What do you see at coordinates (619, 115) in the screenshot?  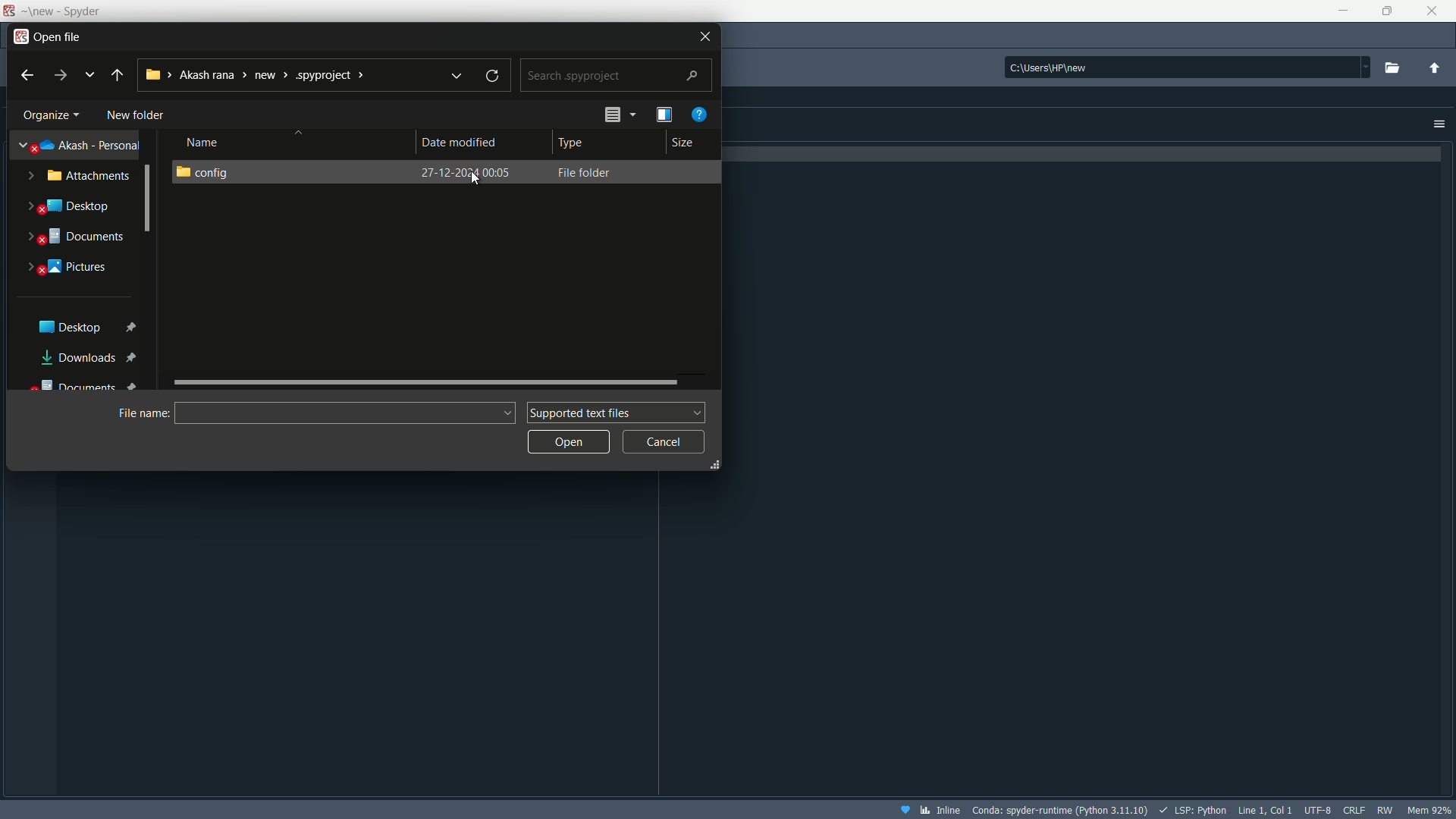 I see `change the view` at bounding box center [619, 115].